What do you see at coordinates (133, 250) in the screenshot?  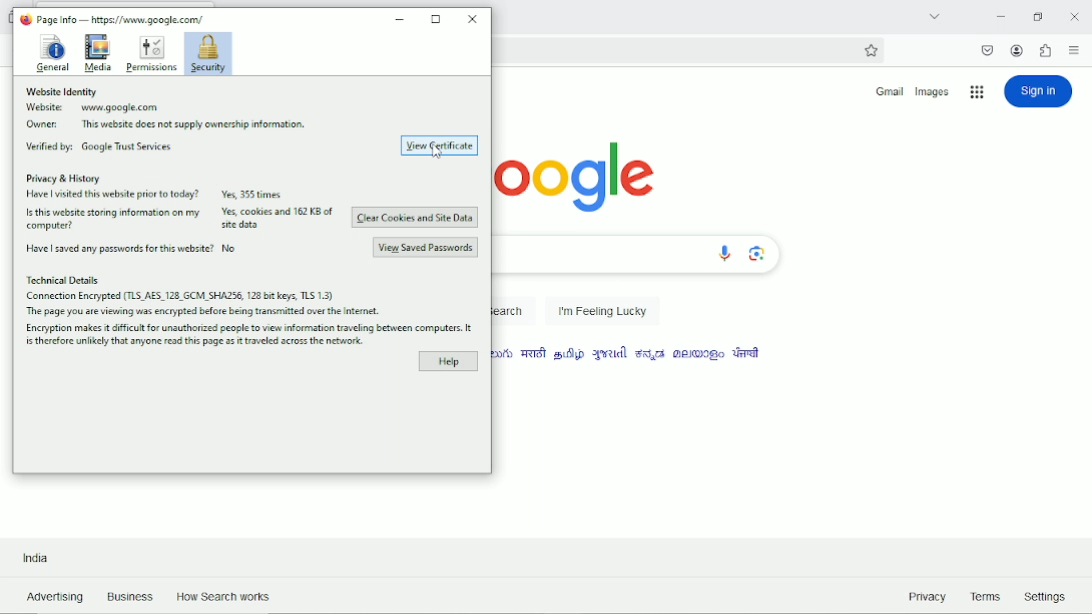 I see `Have i saved my passwords to this website? No` at bounding box center [133, 250].